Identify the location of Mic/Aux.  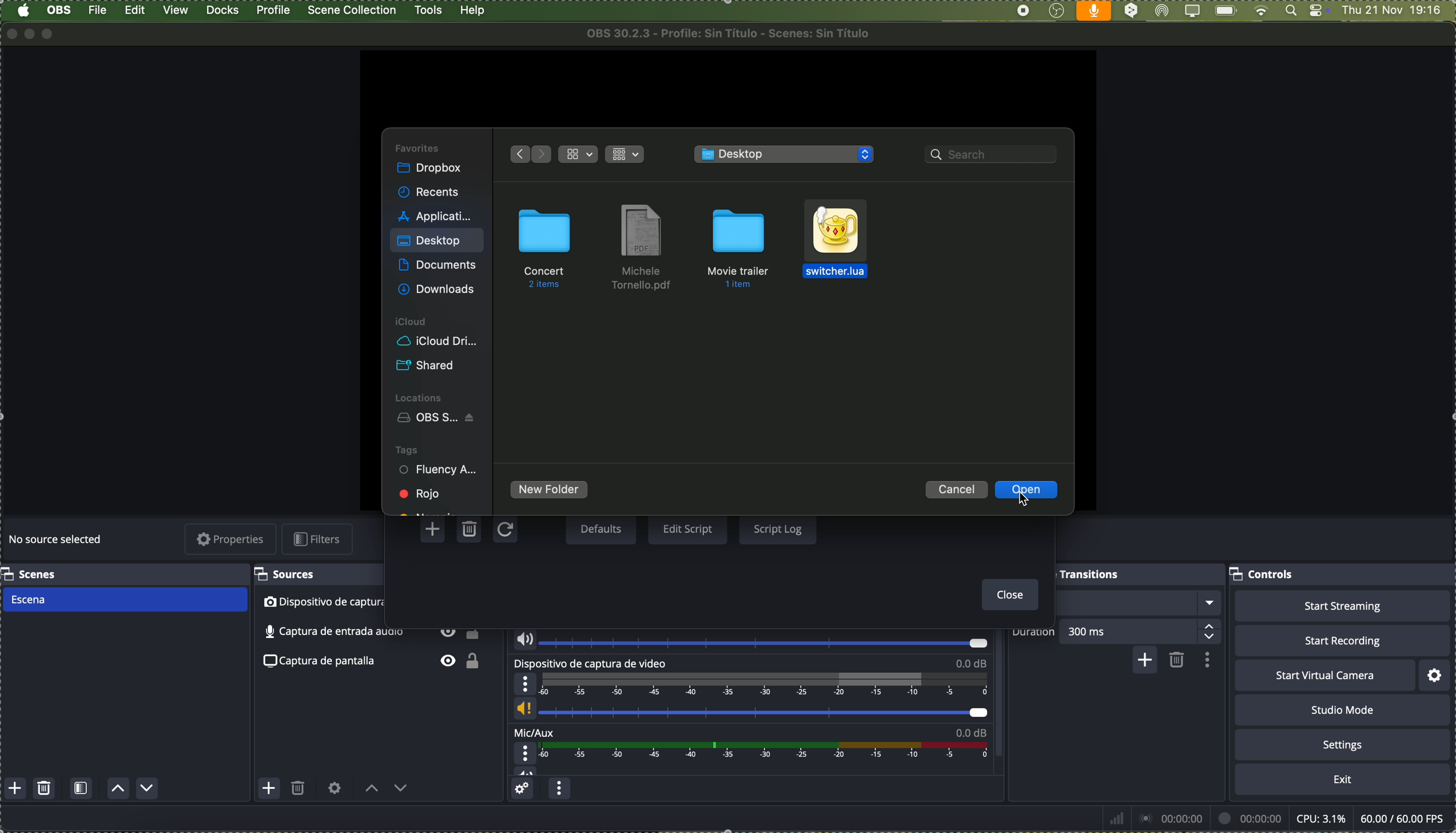
(747, 752).